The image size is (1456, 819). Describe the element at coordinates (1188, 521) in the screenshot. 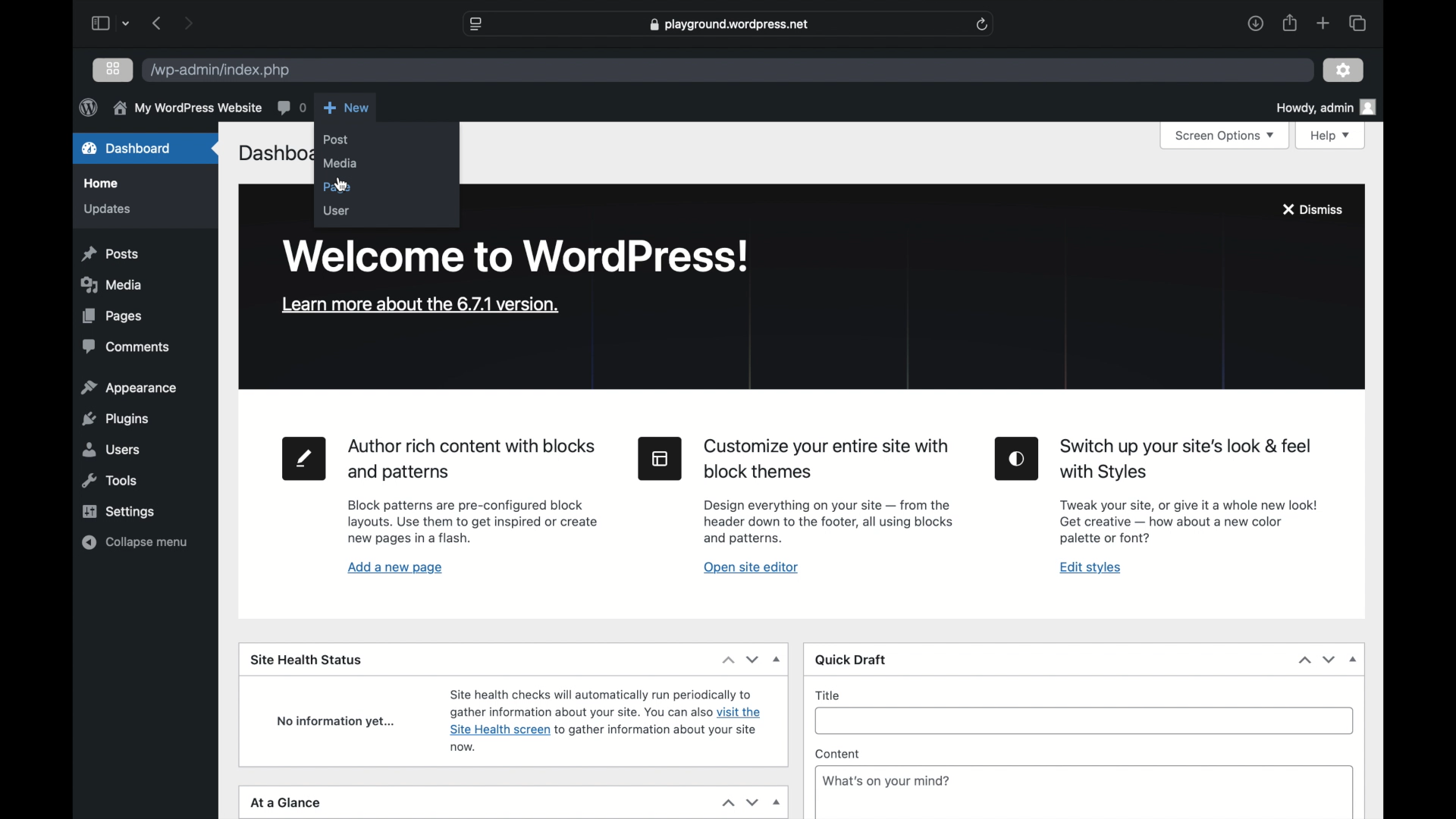

I see `edit styles tool information` at that location.